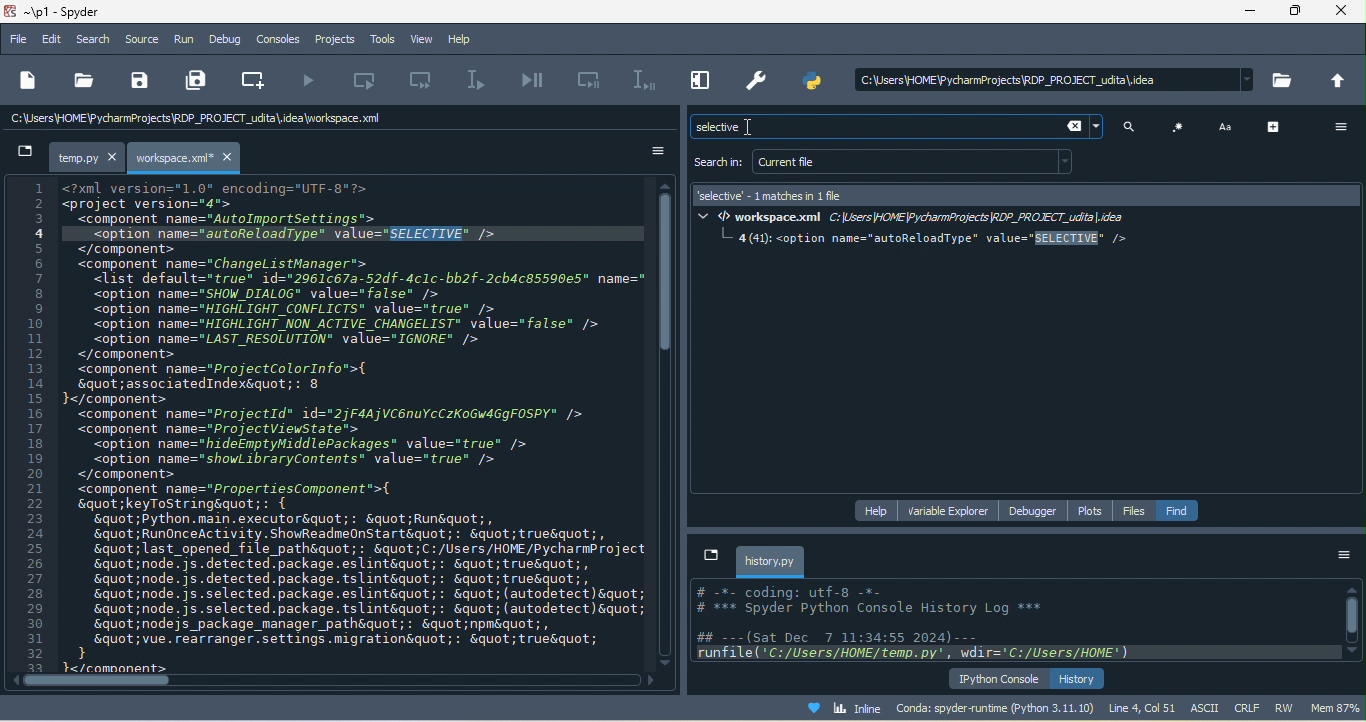 This screenshot has height=722, width=1366. What do you see at coordinates (84, 682) in the screenshot?
I see `horizontal scroll bar` at bounding box center [84, 682].